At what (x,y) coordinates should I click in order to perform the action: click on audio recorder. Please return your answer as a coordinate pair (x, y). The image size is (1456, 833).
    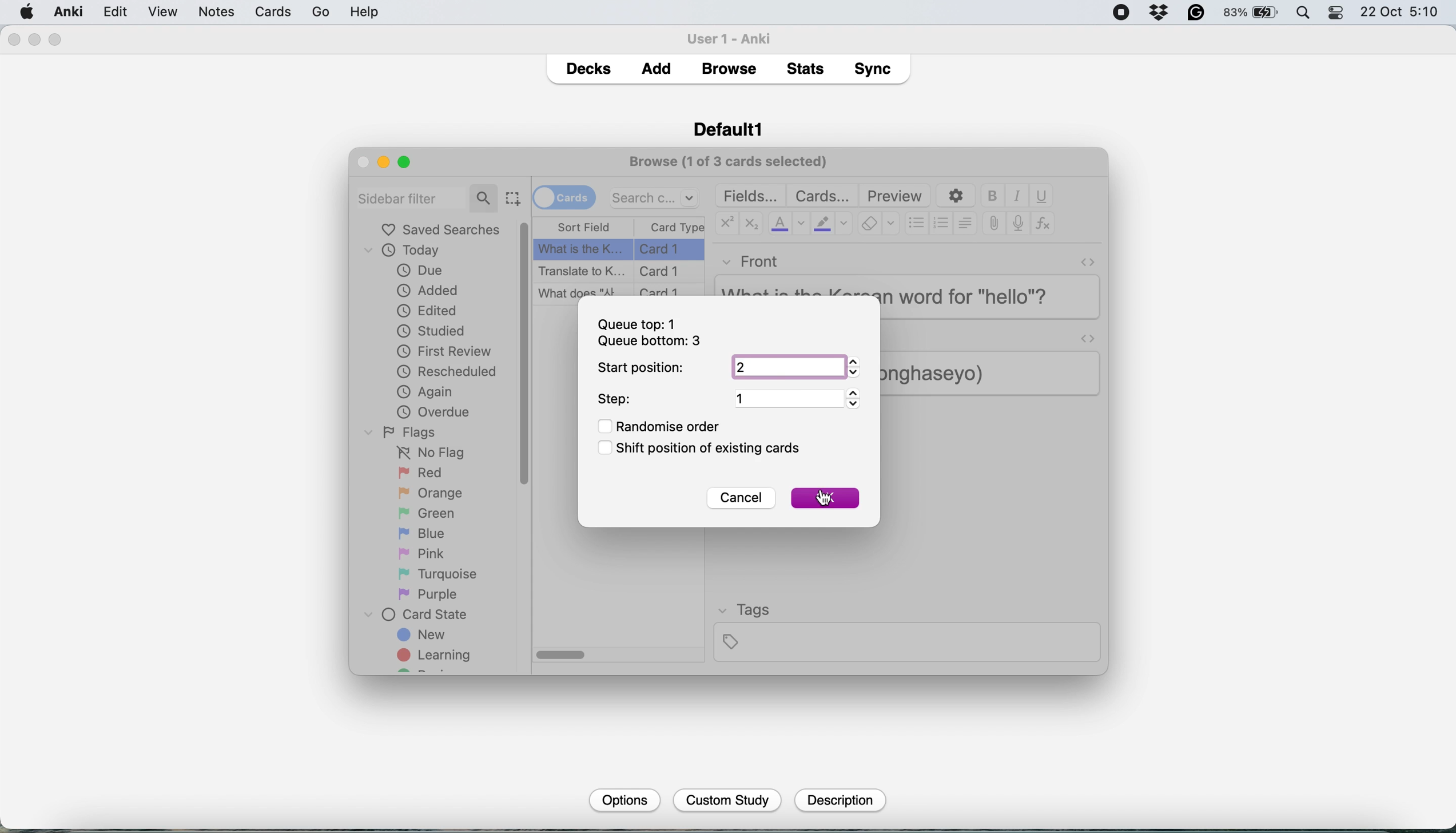
    Looking at the image, I should click on (1017, 225).